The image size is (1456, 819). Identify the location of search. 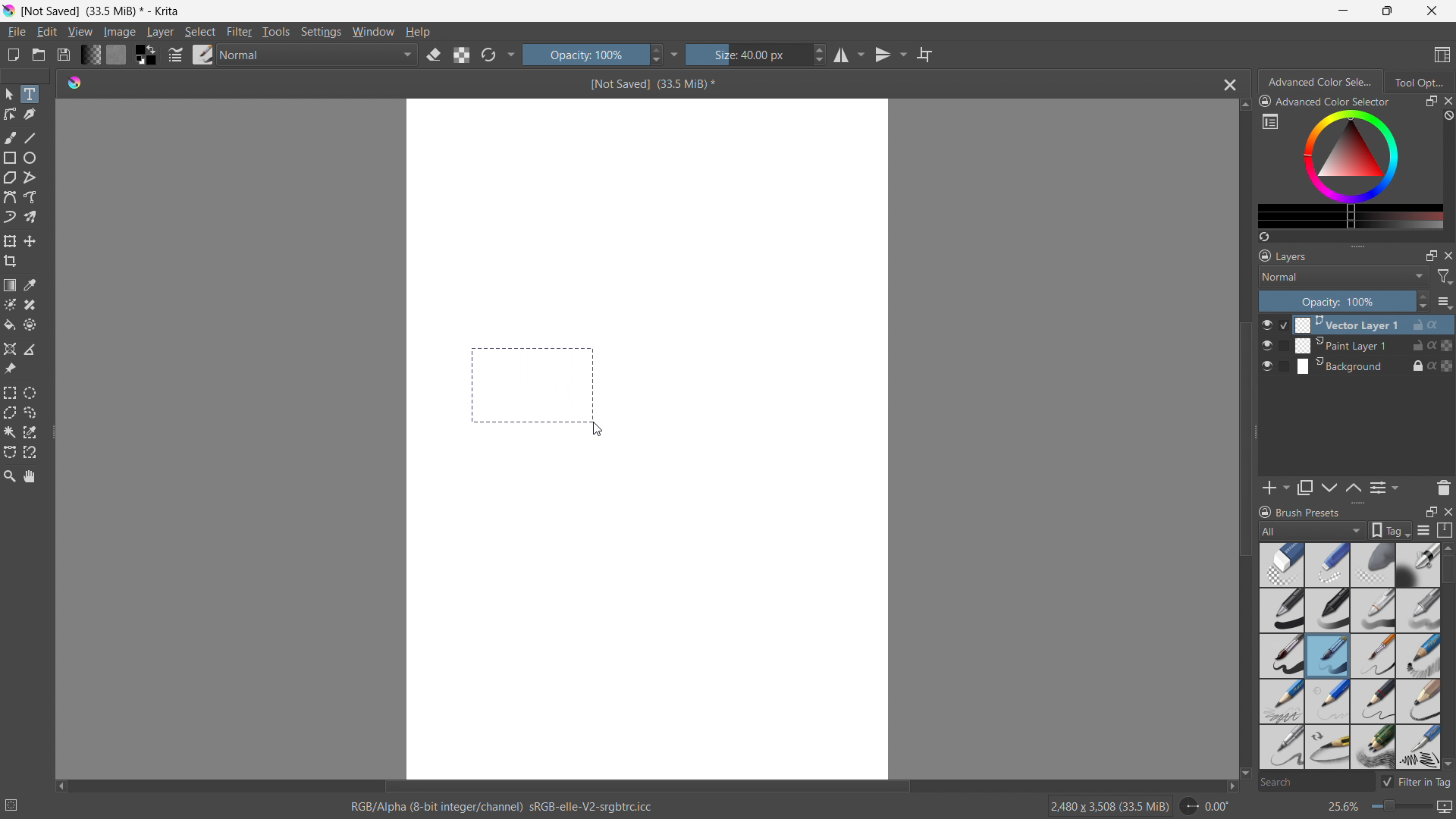
(1314, 783).